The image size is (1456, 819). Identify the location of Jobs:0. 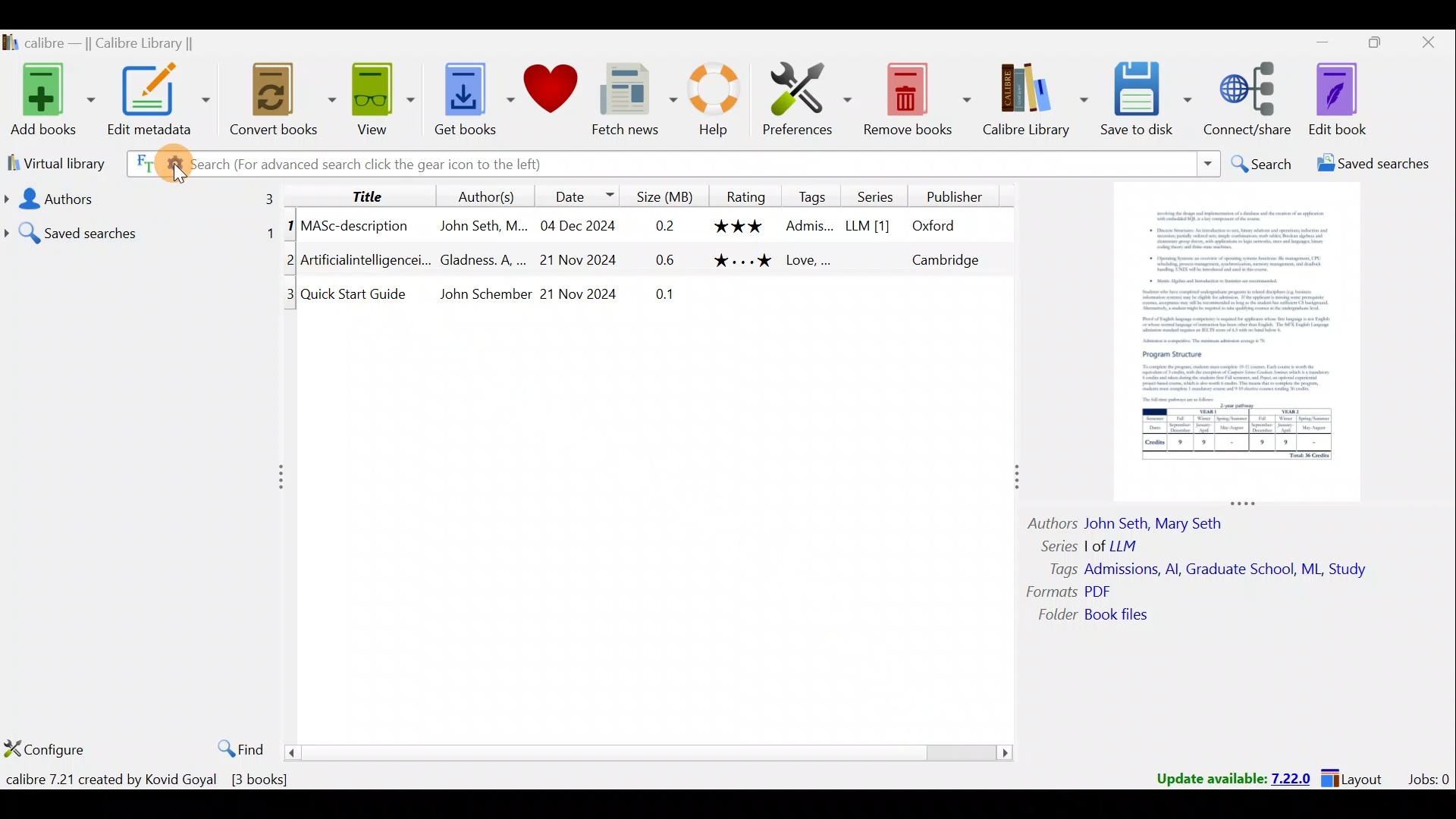
(1428, 778).